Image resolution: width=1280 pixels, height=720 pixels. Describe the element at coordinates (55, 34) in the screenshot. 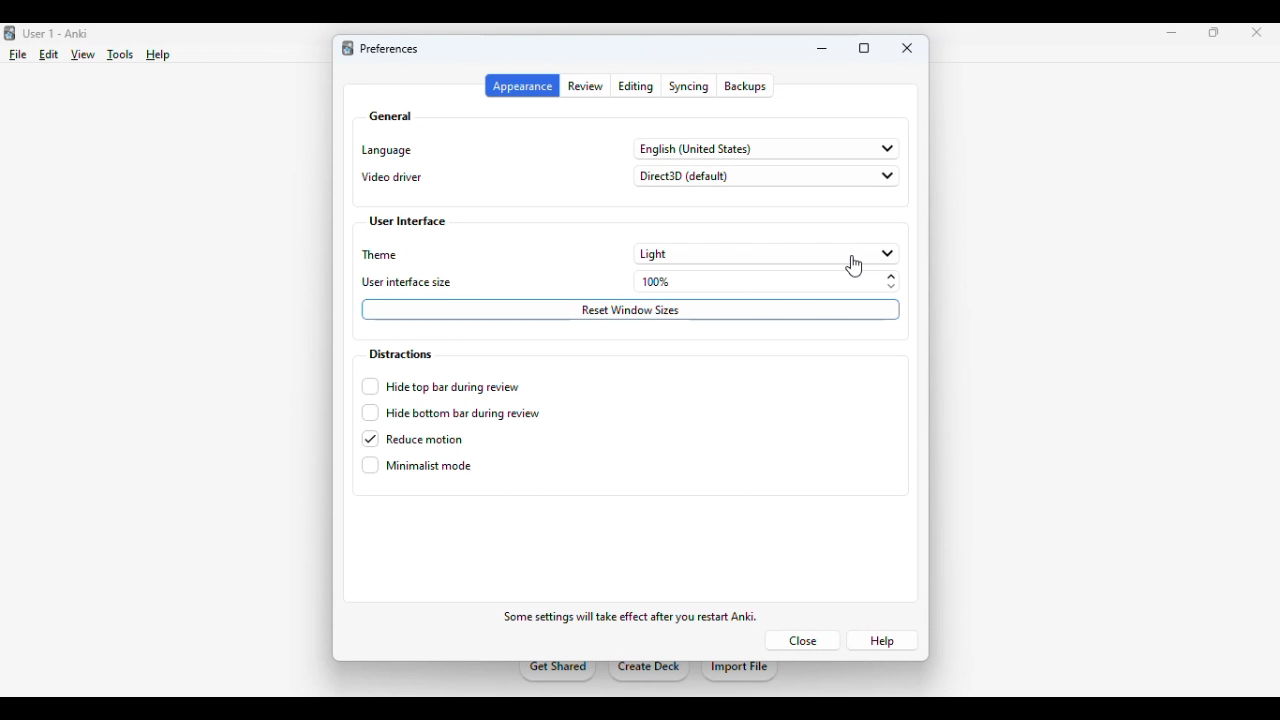

I see `Use 1 - Anki` at that location.